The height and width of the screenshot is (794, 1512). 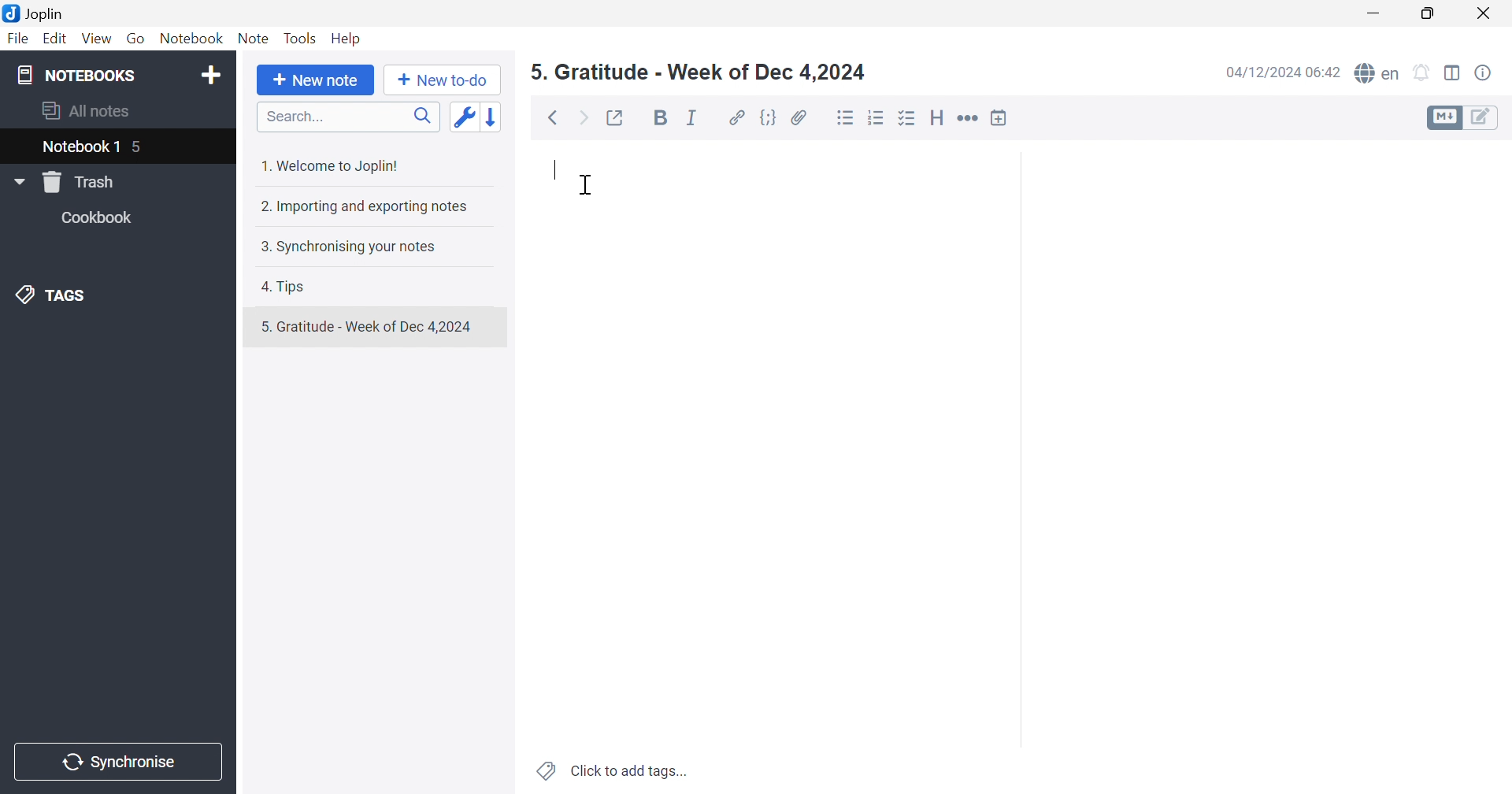 What do you see at coordinates (369, 206) in the screenshot?
I see `2. Importing and exporting notes` at bounding box center [369, 206].